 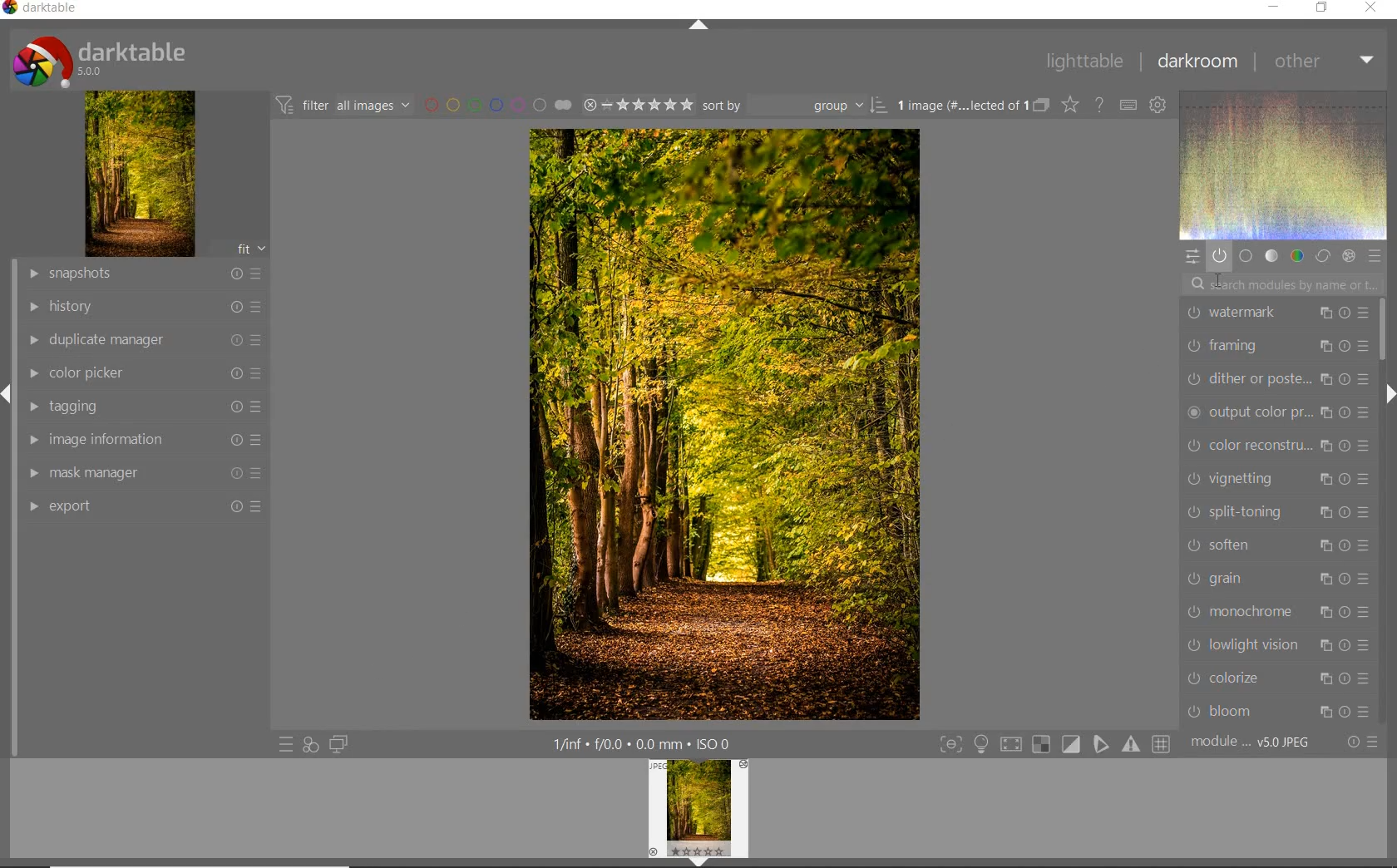 What do you see at coordinates (723, 425) in the screenshot?
I see `selected image` at bounding box center [723, 425].